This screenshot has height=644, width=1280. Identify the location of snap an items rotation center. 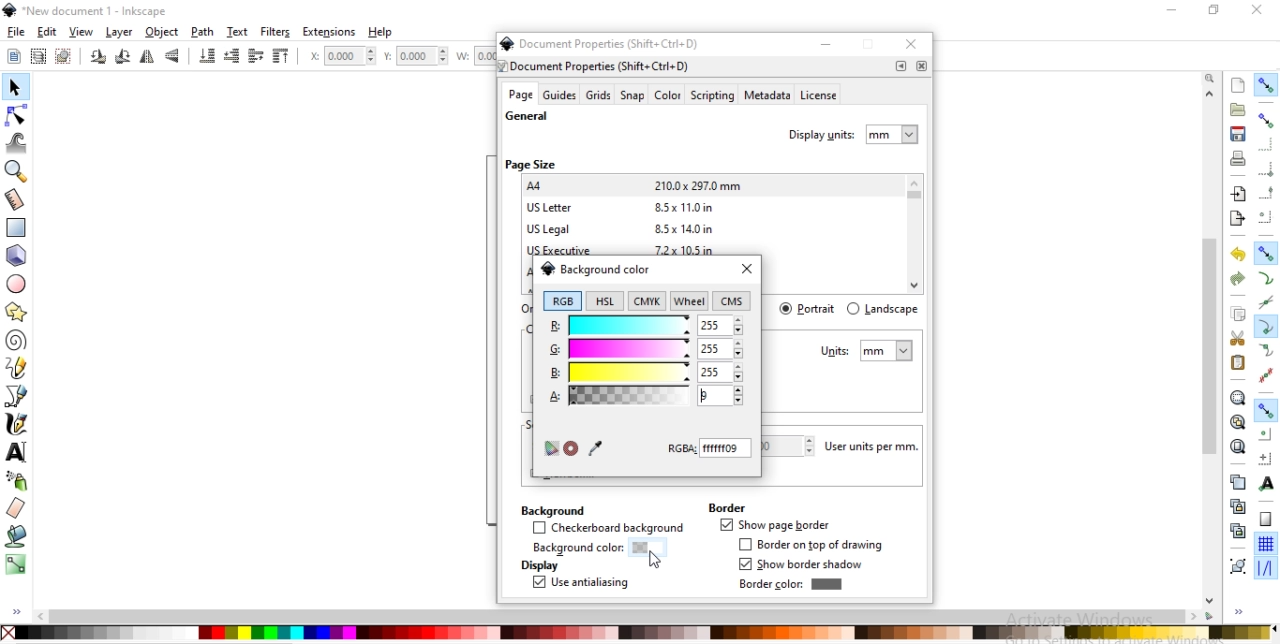
(1266, 458).